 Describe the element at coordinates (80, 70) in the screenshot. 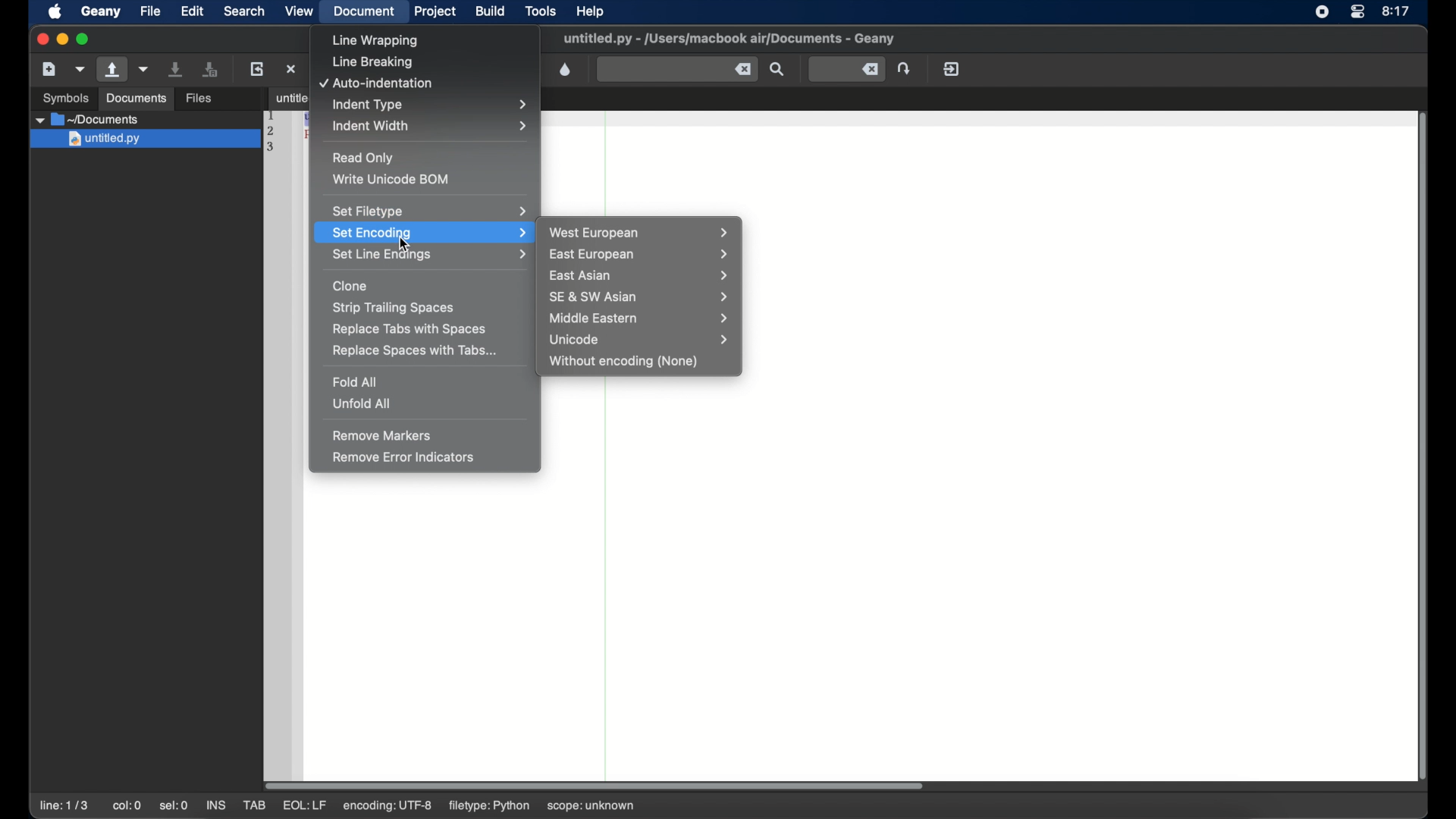

I see `create a new file from template` at that location.